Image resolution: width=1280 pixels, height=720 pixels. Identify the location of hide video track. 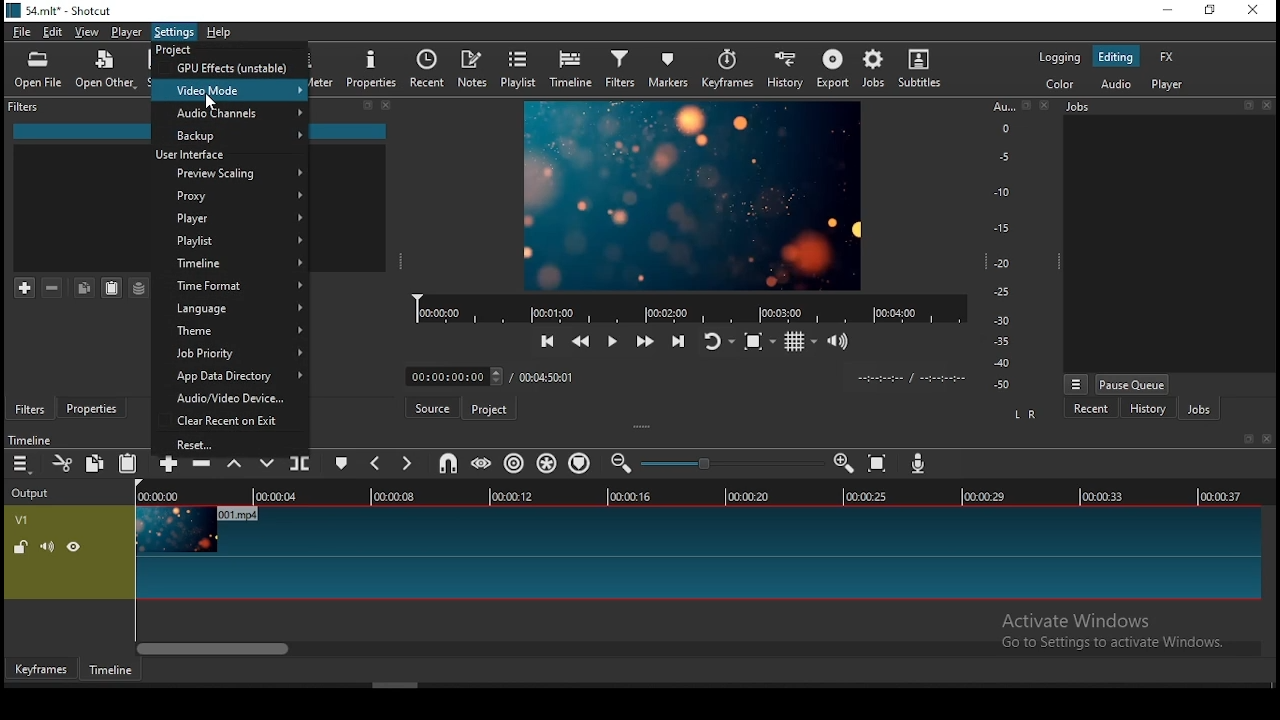
(74, 545).